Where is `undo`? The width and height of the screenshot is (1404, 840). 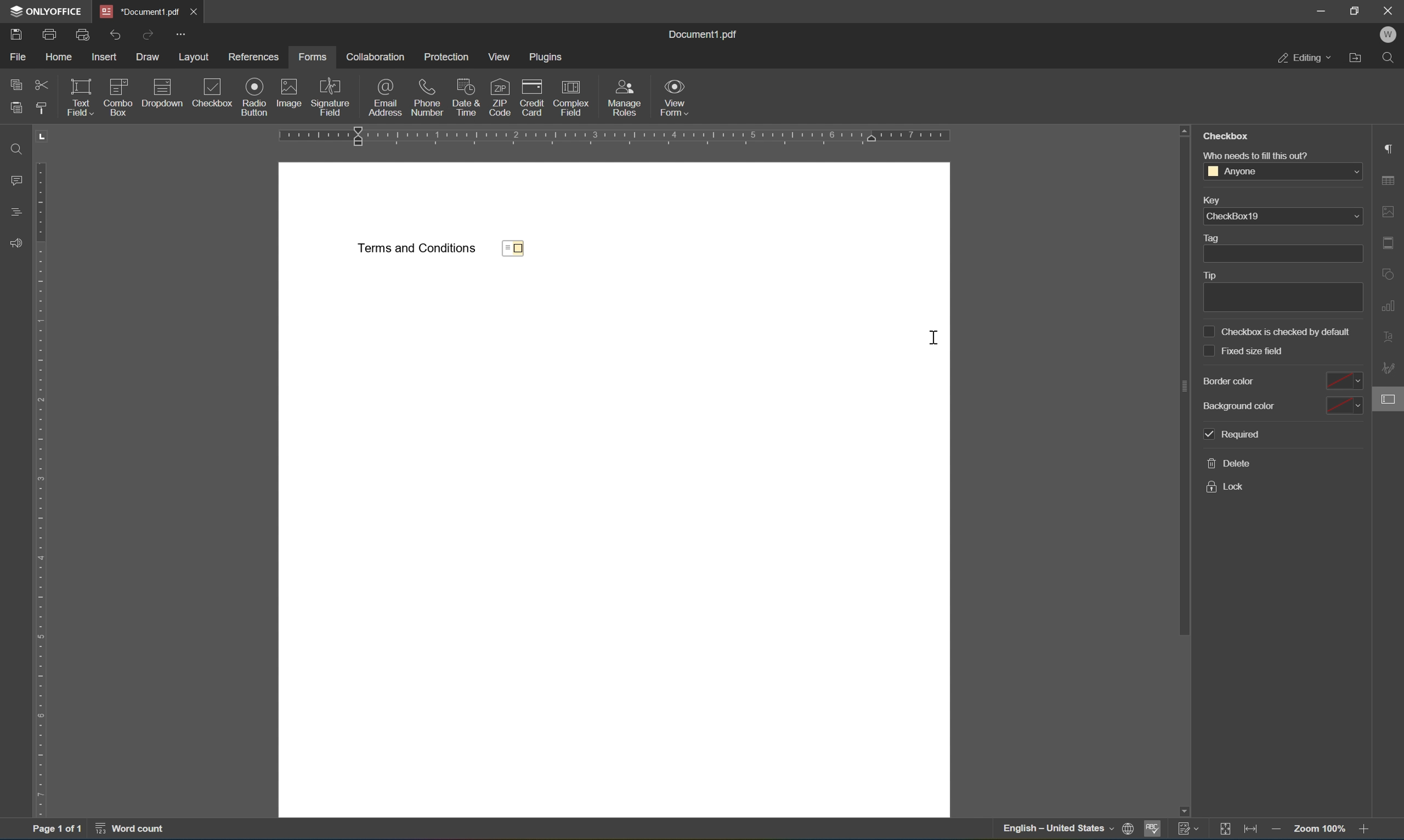
undo is located at coordinates (119, 36).